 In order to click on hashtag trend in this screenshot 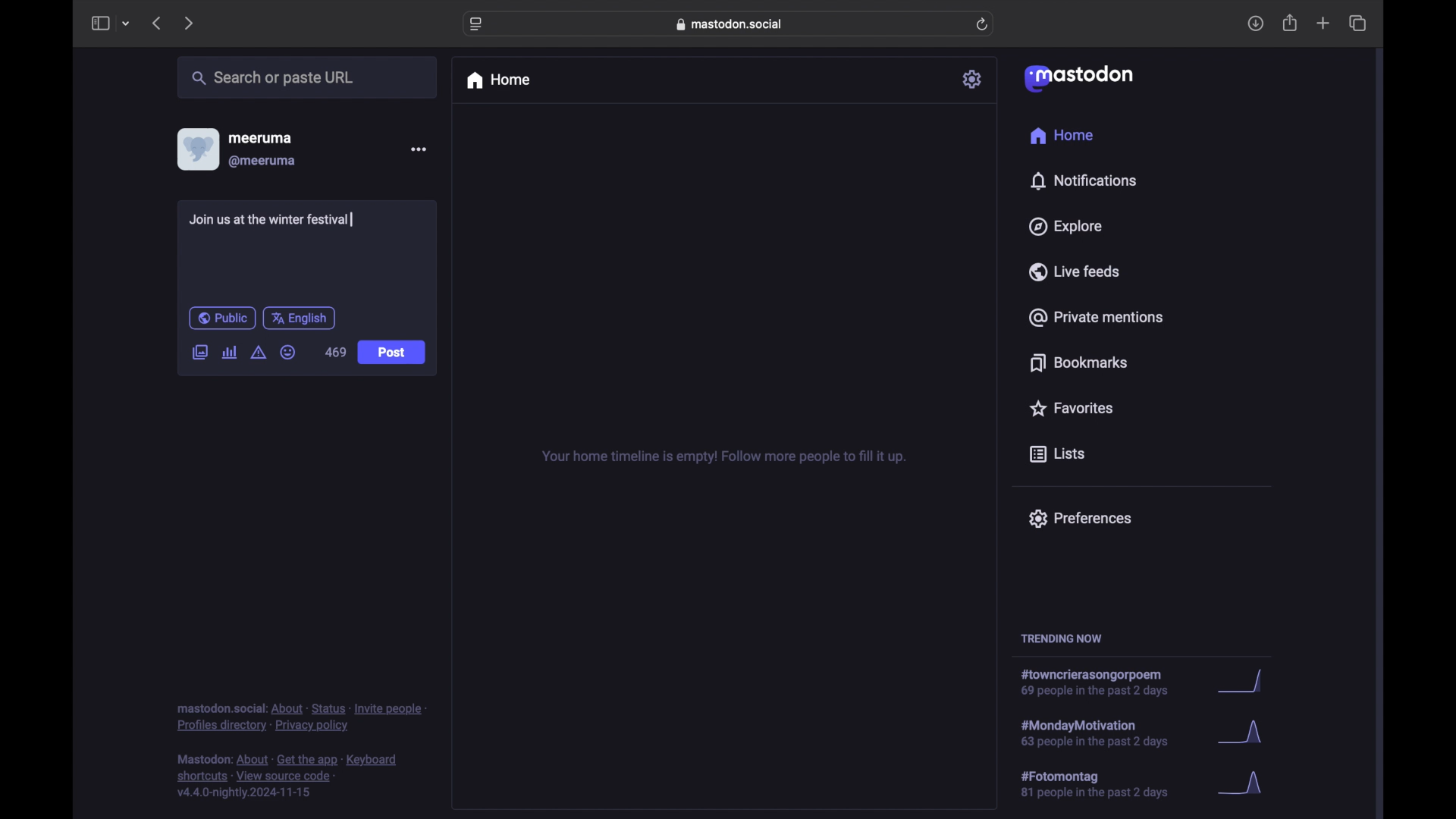, I will do `click(1103, 683)`.